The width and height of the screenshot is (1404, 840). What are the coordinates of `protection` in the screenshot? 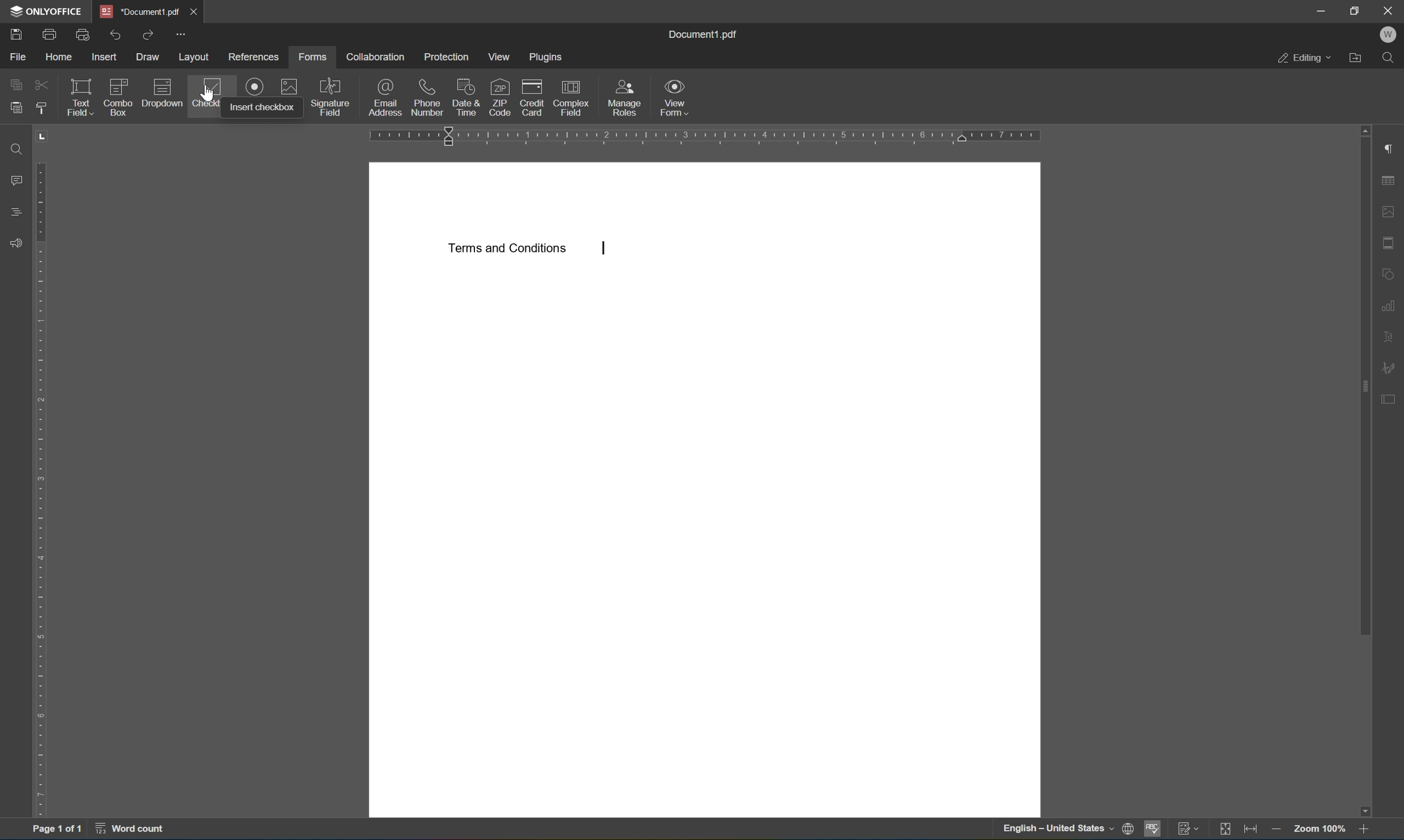 It's located at (445, 57).